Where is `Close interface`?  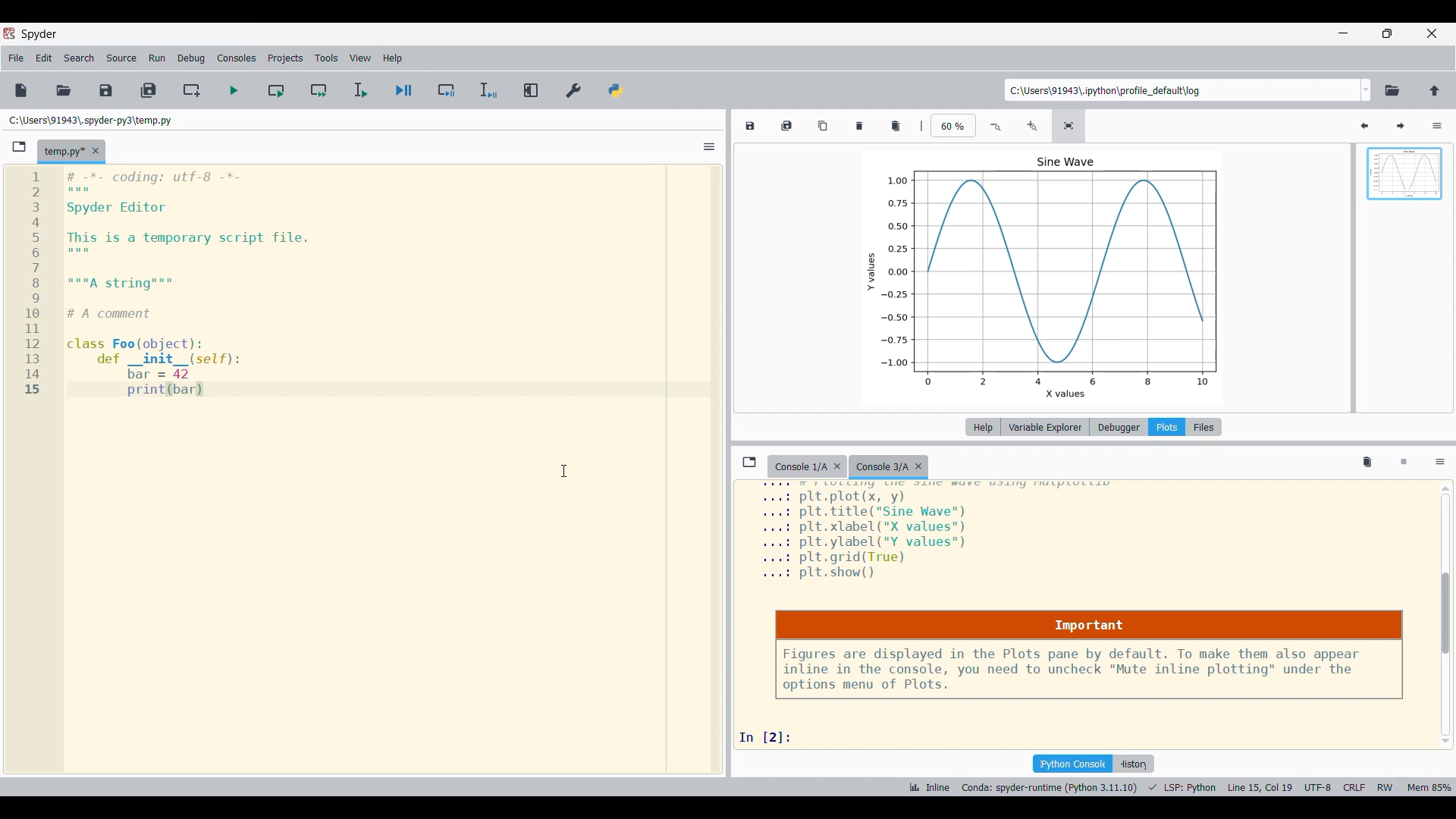
Close interface is located at coordinates (1432, 33).